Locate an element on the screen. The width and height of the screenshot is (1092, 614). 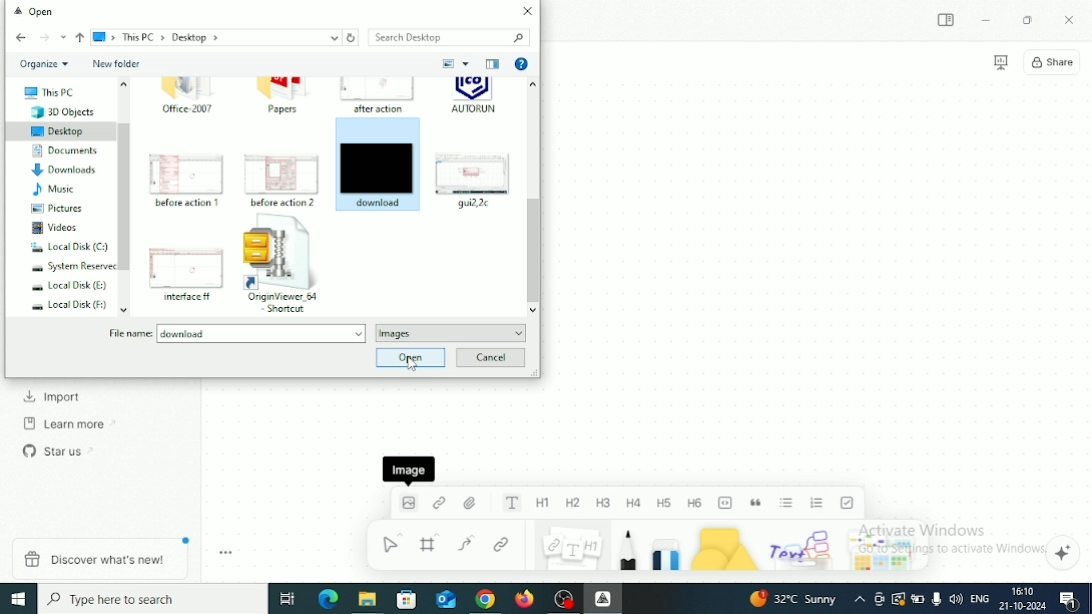
Mail is located at coordinates (444, 600).